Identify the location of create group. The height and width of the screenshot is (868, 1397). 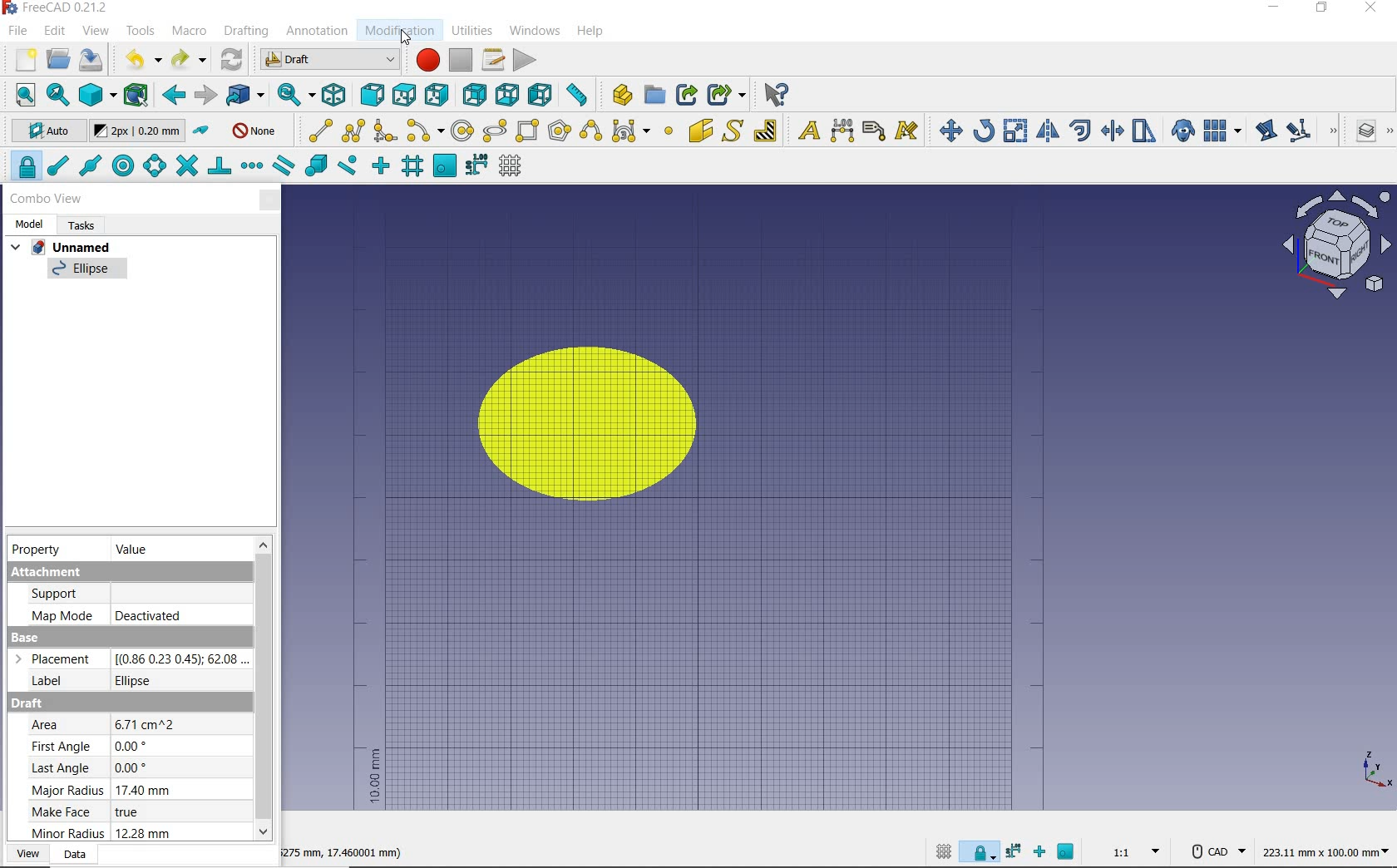
(655, 96).